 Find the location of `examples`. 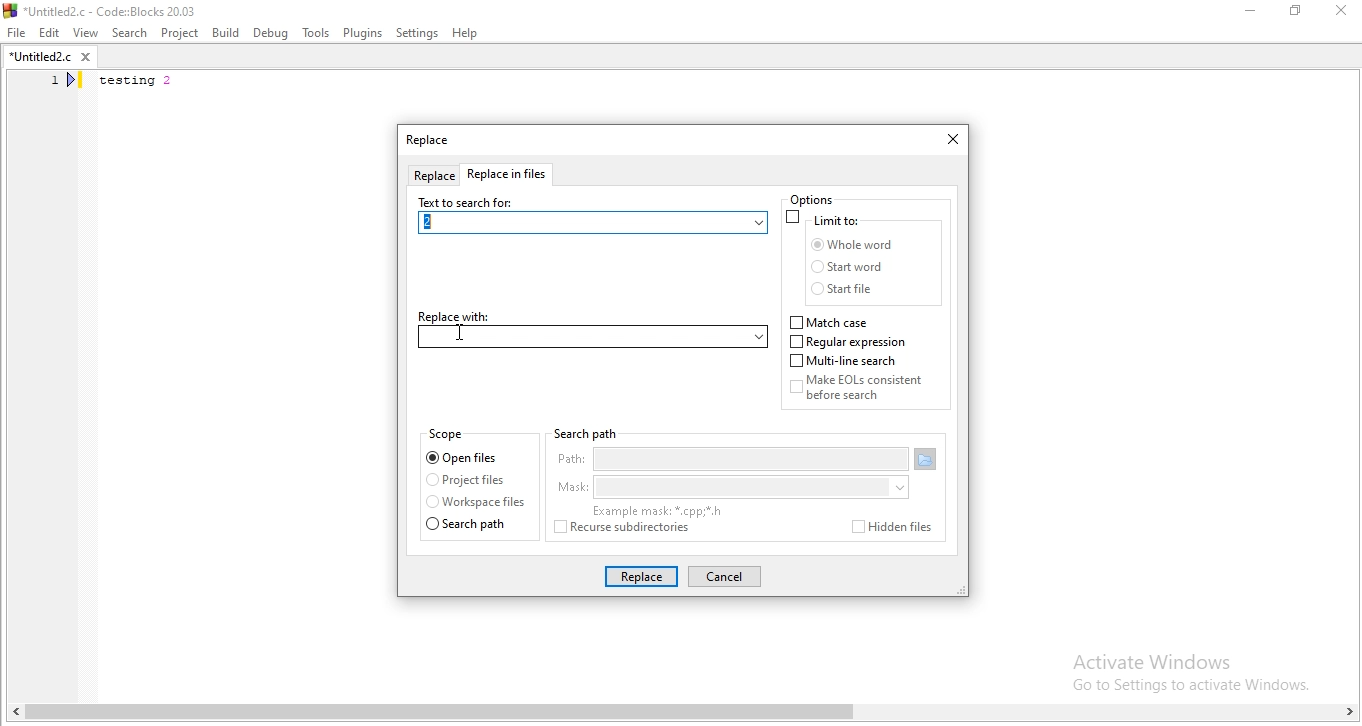

examples is located at coordinates (656, 511).